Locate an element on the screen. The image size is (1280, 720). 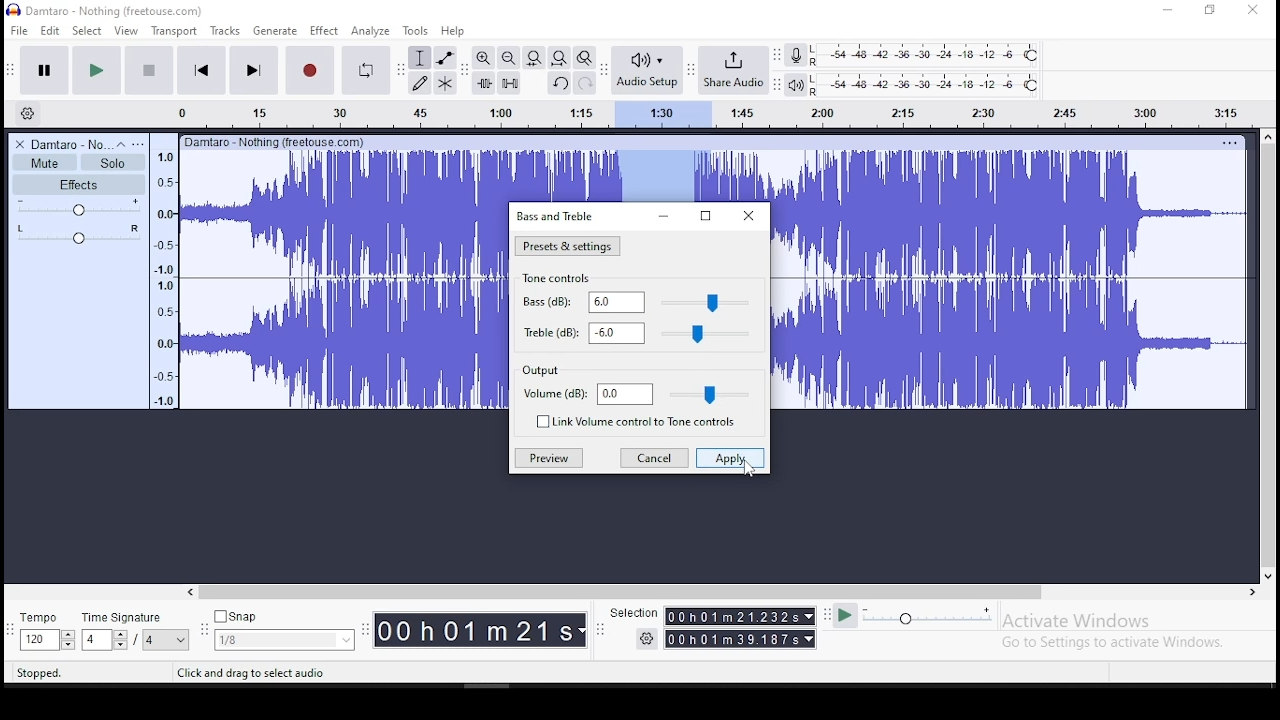
view is located at coordinates (126, 31).